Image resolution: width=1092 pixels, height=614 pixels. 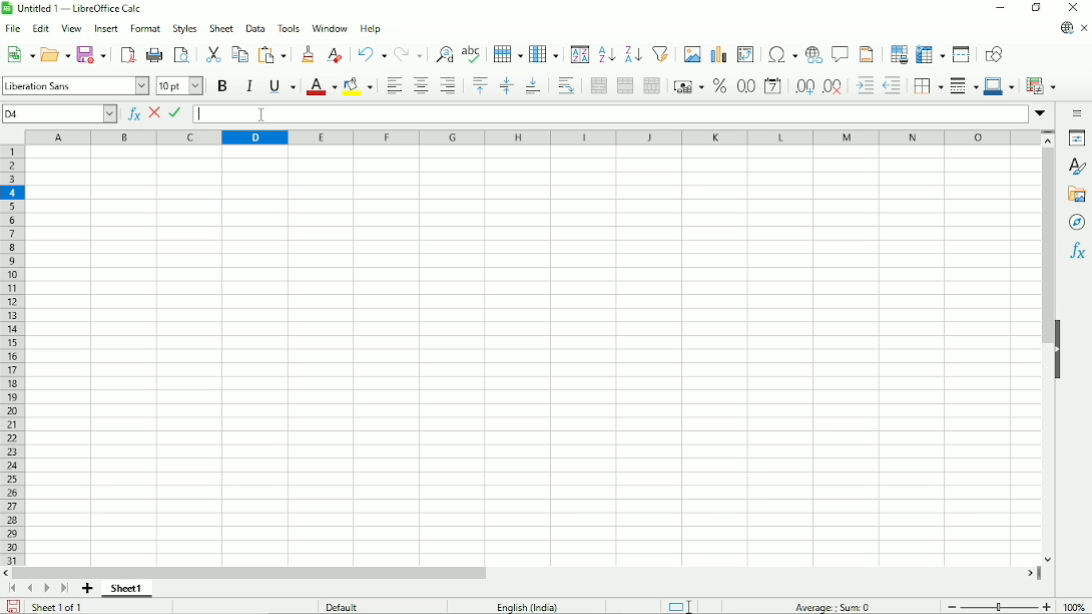 What do you see at coordinates (608, 54) in the screenshot?
I see `Sort ascending` at bounding box center [608, 54].